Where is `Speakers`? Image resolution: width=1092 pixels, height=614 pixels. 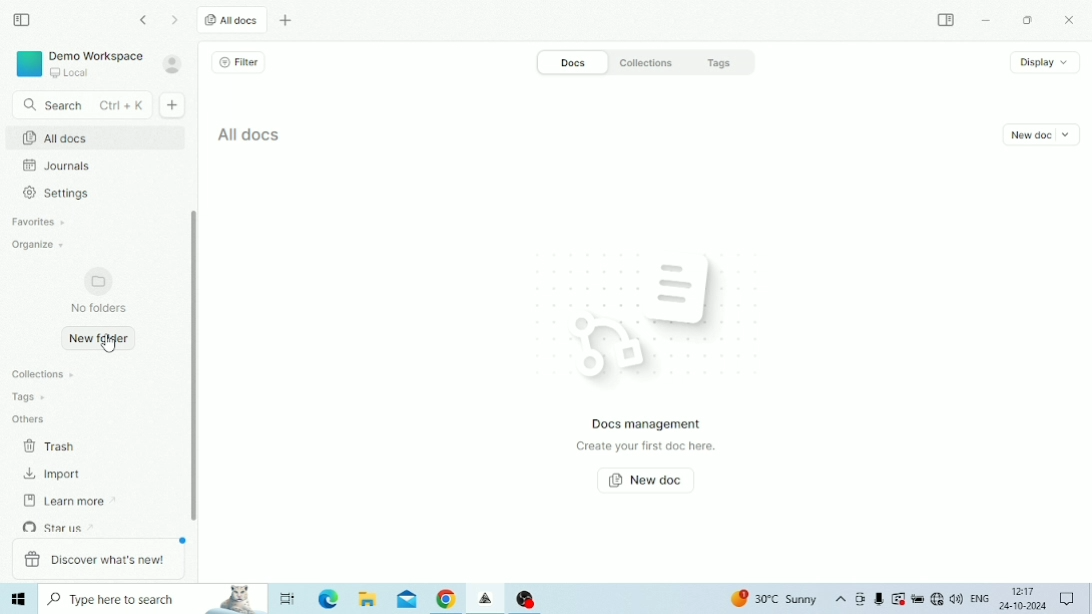
Speakers is located at coordinates (956, 597).